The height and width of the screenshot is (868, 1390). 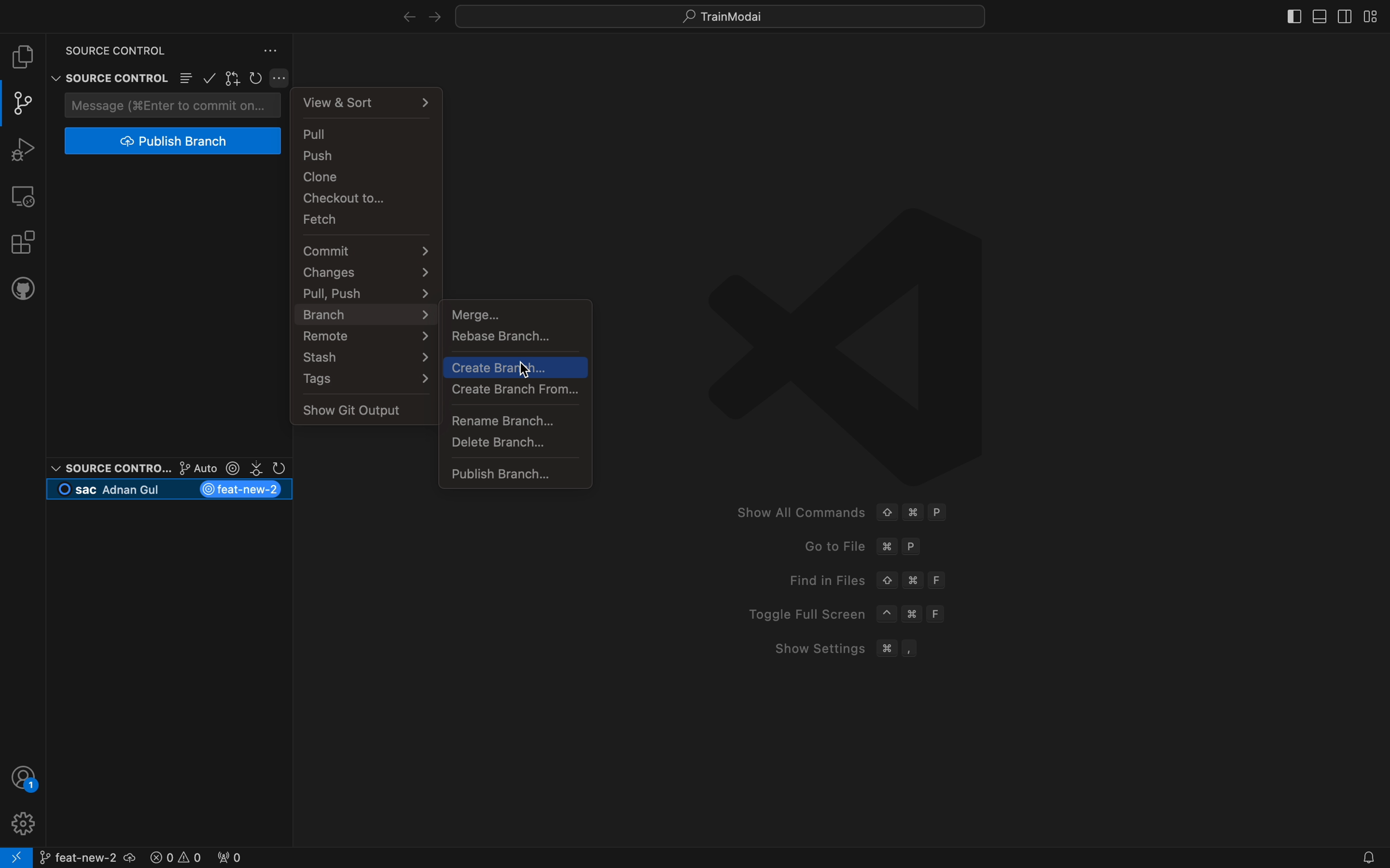 I want to click on rebase a branch, so click(x=519, y=337).